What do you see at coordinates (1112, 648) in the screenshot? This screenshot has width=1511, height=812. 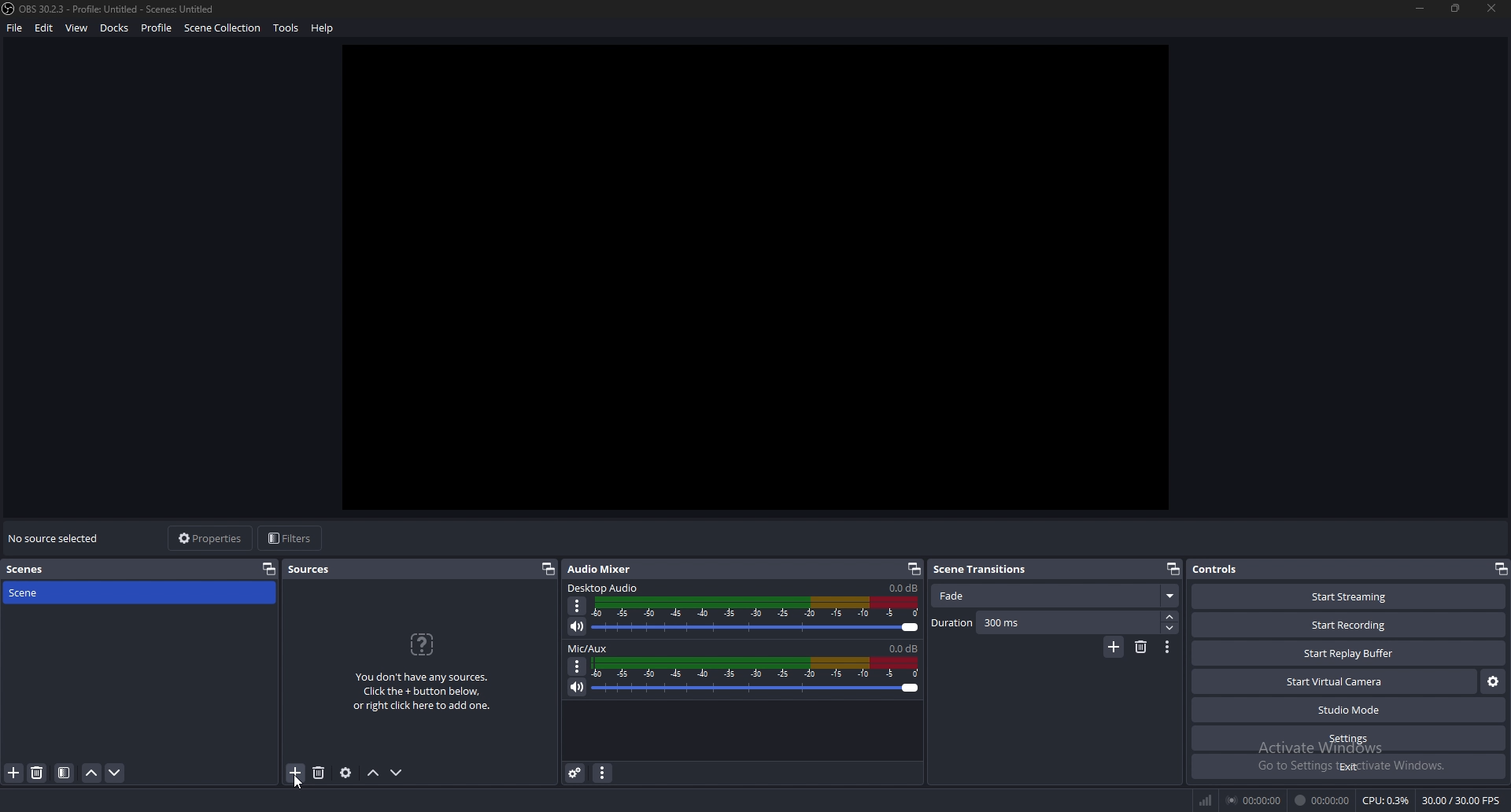 I see `add transition` at bounding box center [1112, 648].